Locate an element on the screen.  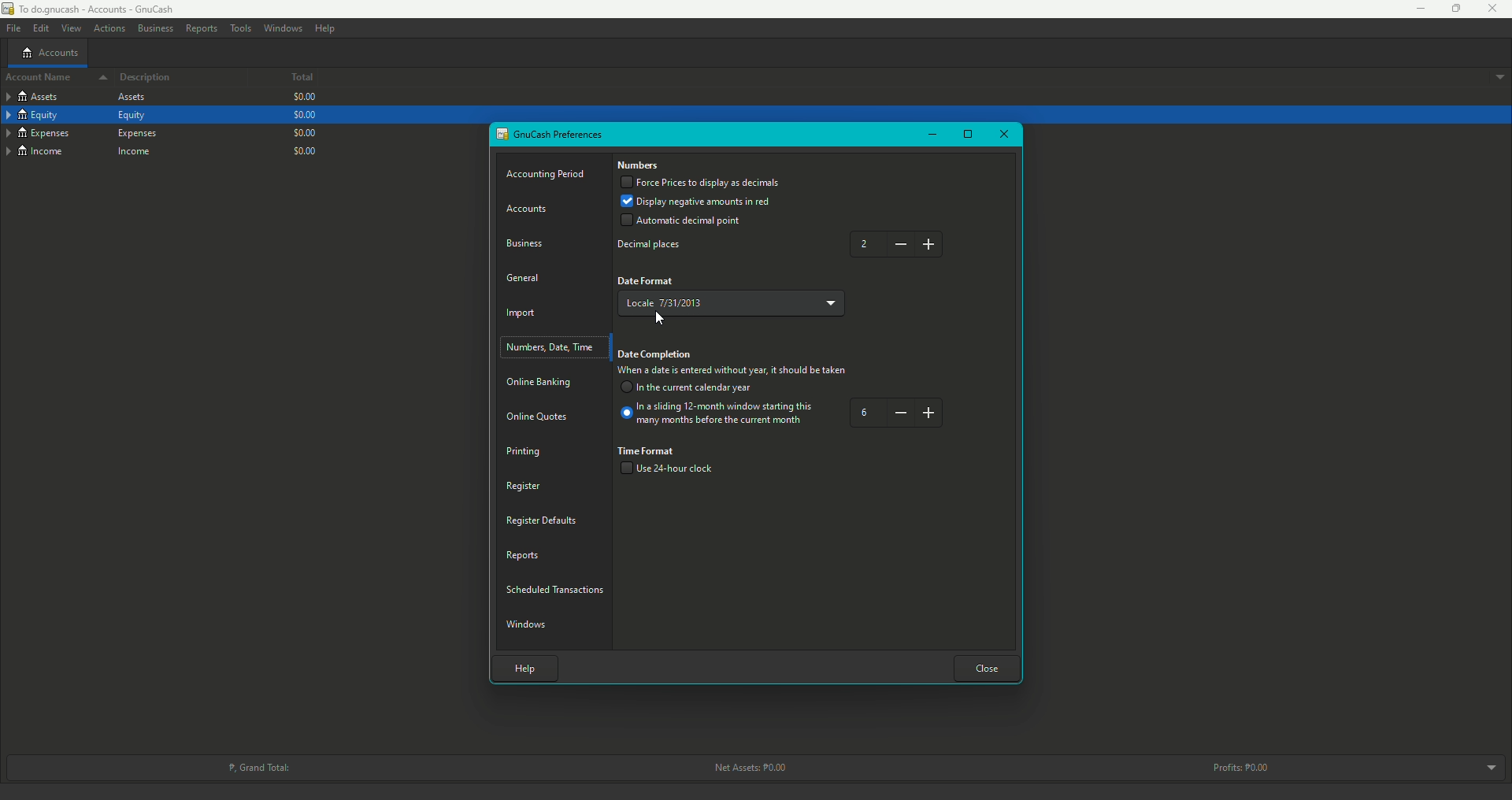
Registered Defaults is located at coordinates (543, 520).